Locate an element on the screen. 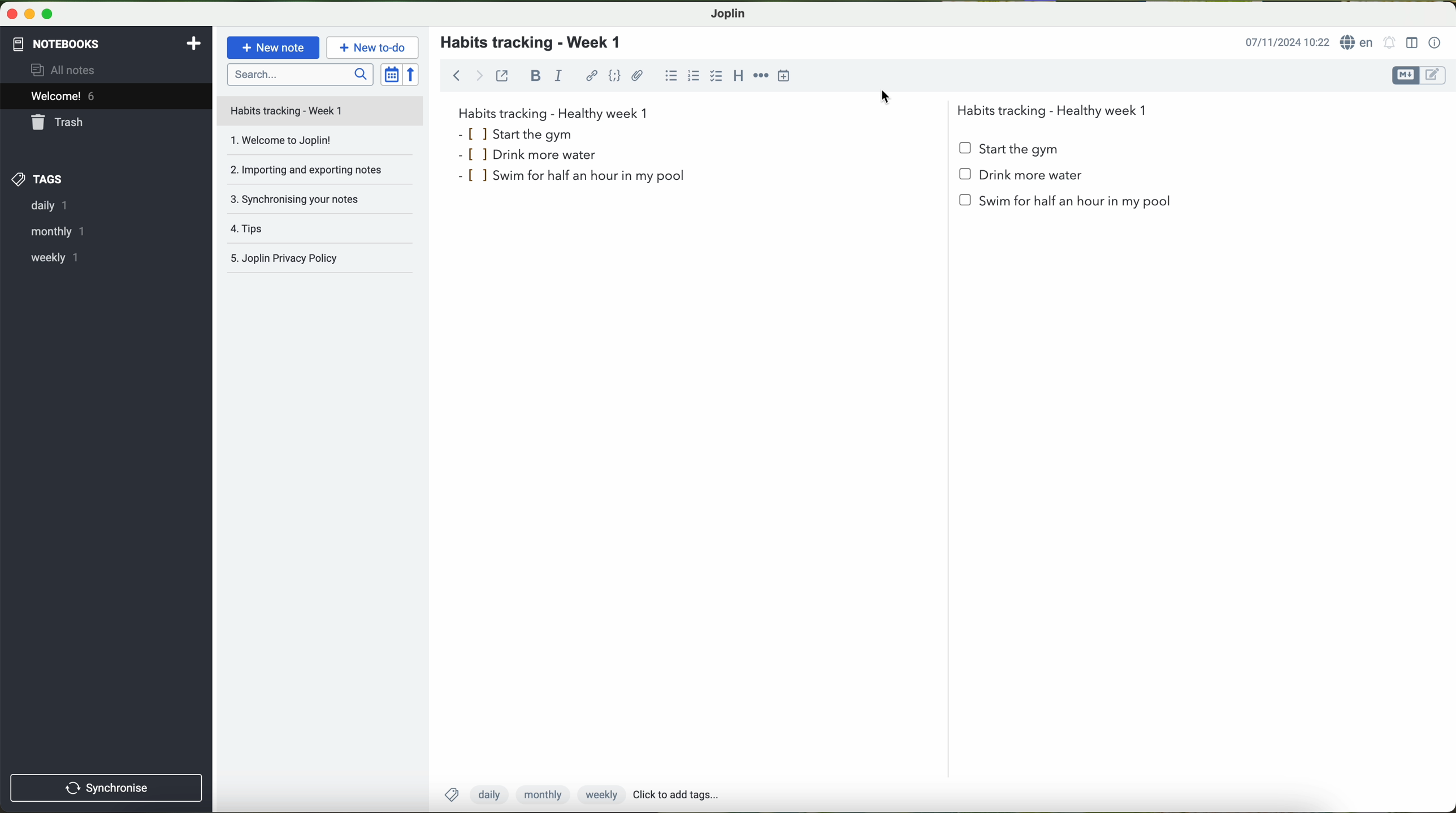 This screenshot has width=1456, height=813. horizontal rule is located at coordinates (761, 76).